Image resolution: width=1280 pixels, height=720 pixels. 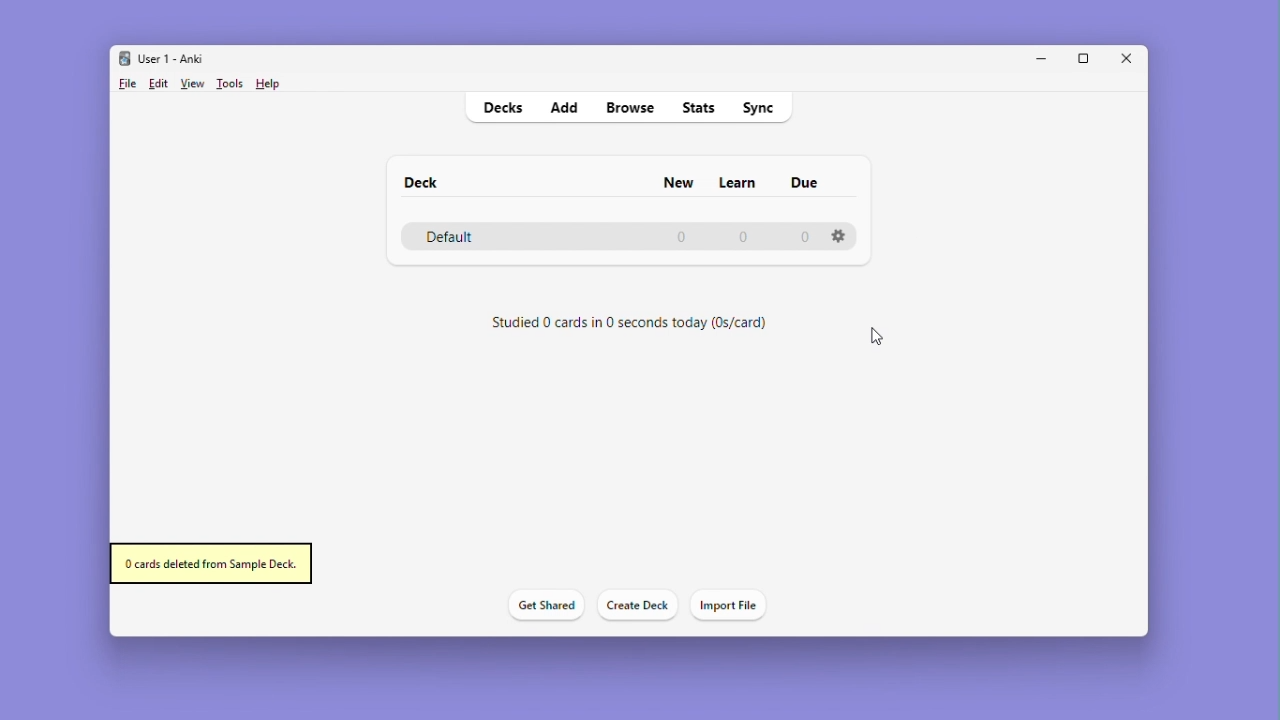 What do you see at coordinates (563, 106) in the screenshot?
I see `Add` at bounding box center [563, 106].